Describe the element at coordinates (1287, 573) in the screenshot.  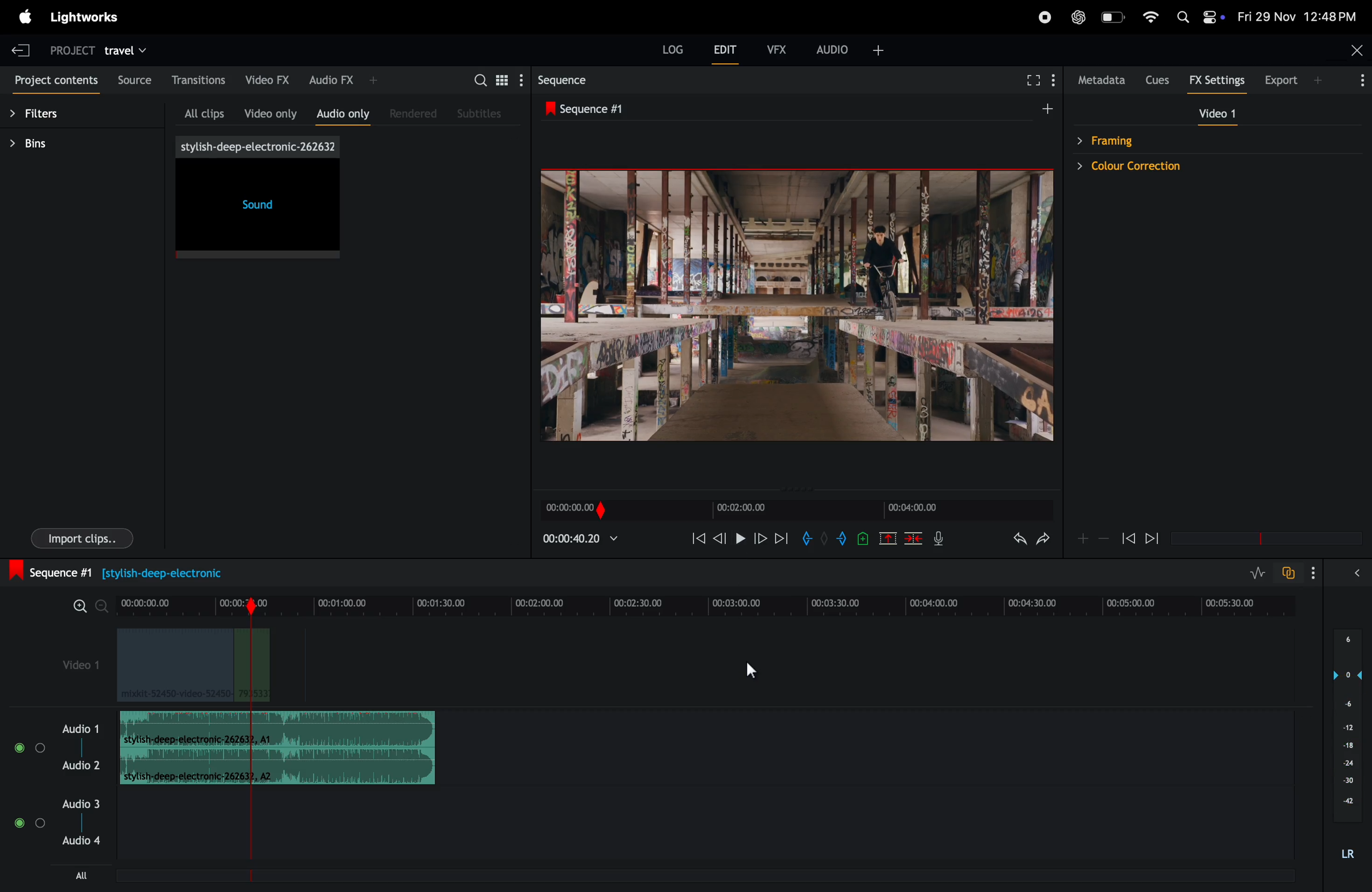
I see `toggle auto track sync` at that location.